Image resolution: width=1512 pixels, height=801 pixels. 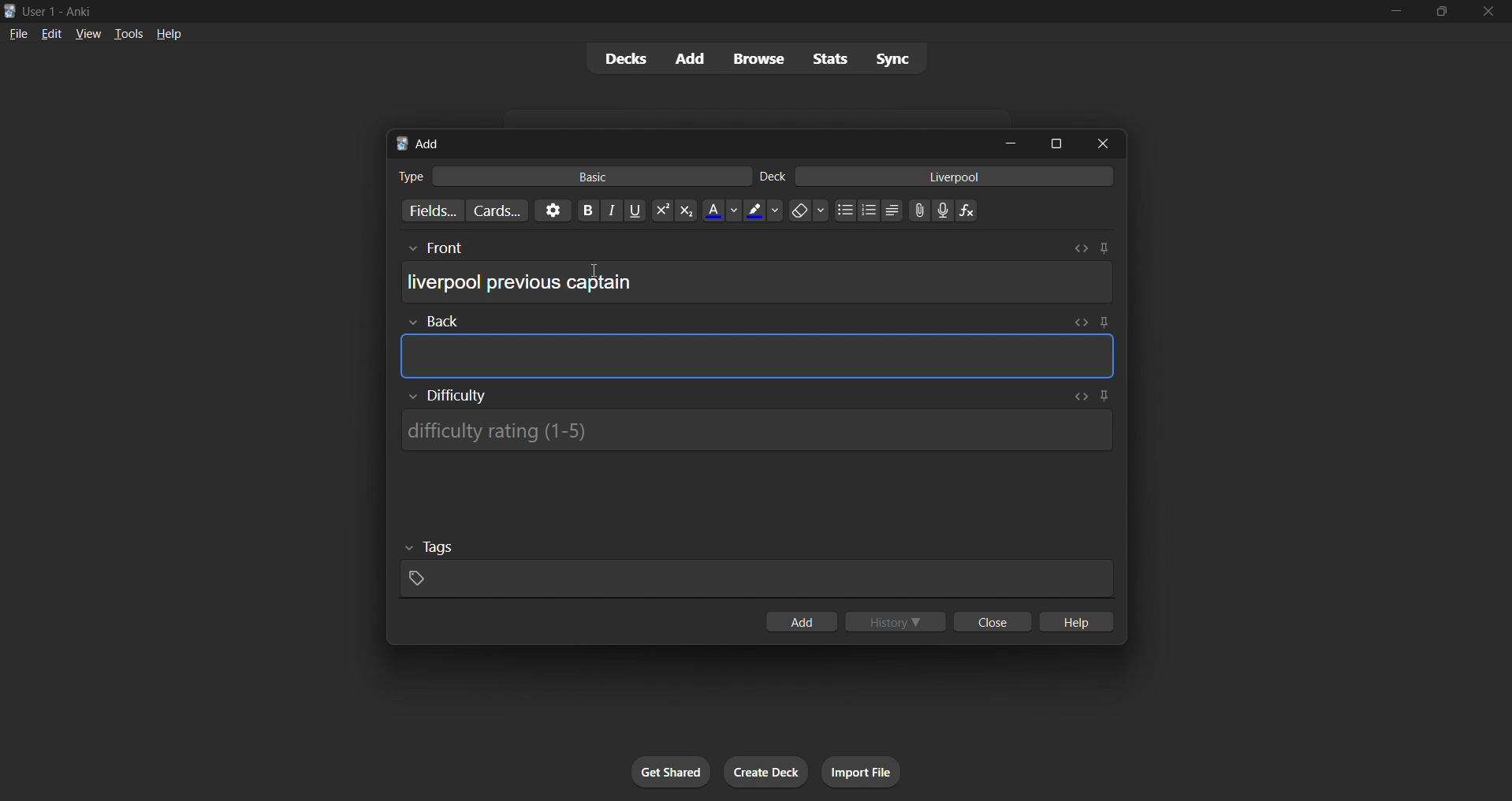 I want to click on sync, so click(x=893, y=61).